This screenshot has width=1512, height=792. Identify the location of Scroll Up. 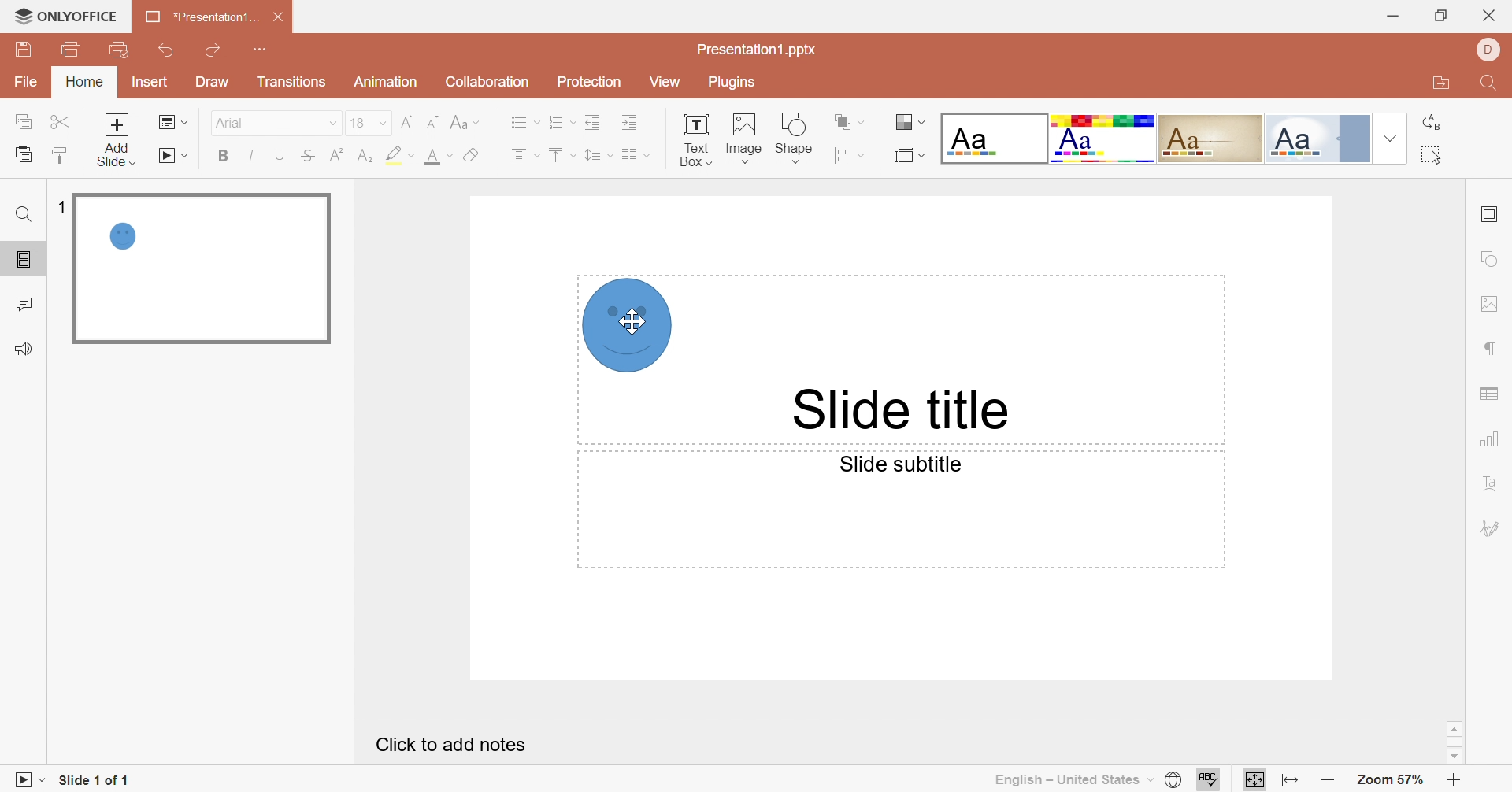
(1455, 728).